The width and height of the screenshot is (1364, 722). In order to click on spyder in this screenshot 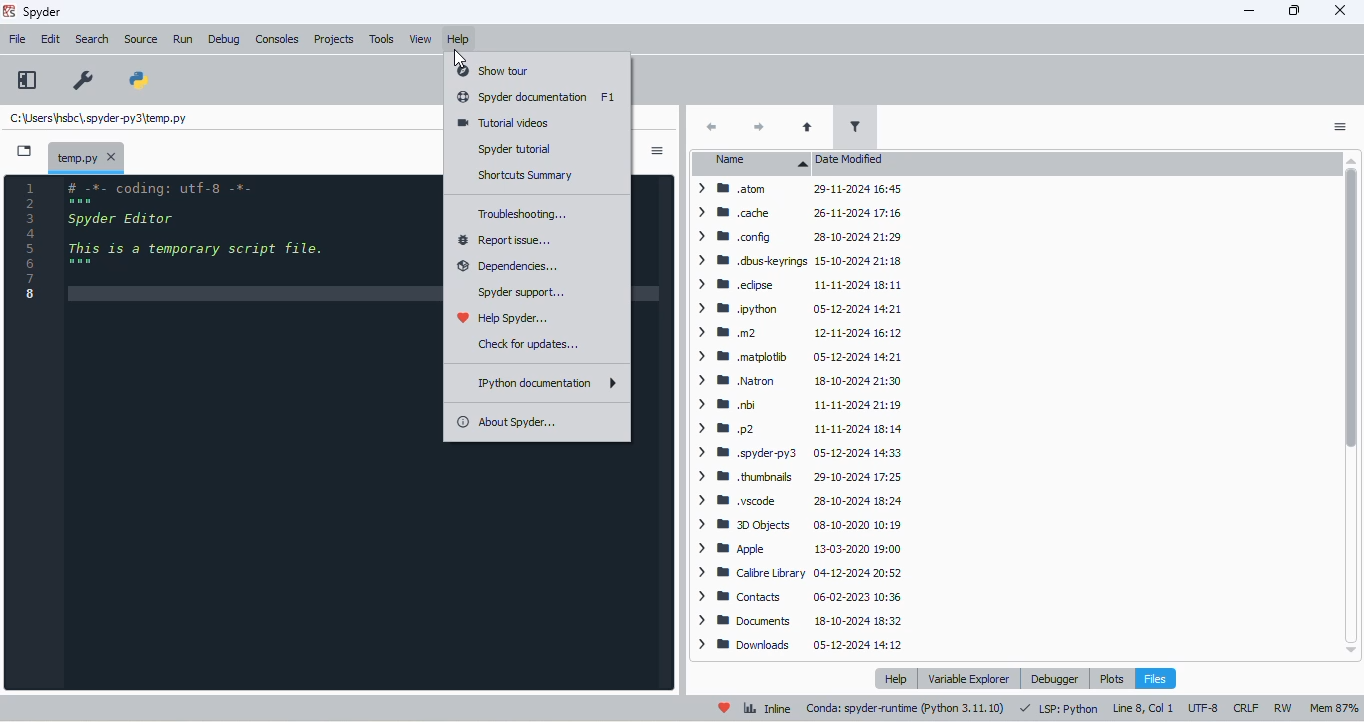, I will do `click(43, 12)`.